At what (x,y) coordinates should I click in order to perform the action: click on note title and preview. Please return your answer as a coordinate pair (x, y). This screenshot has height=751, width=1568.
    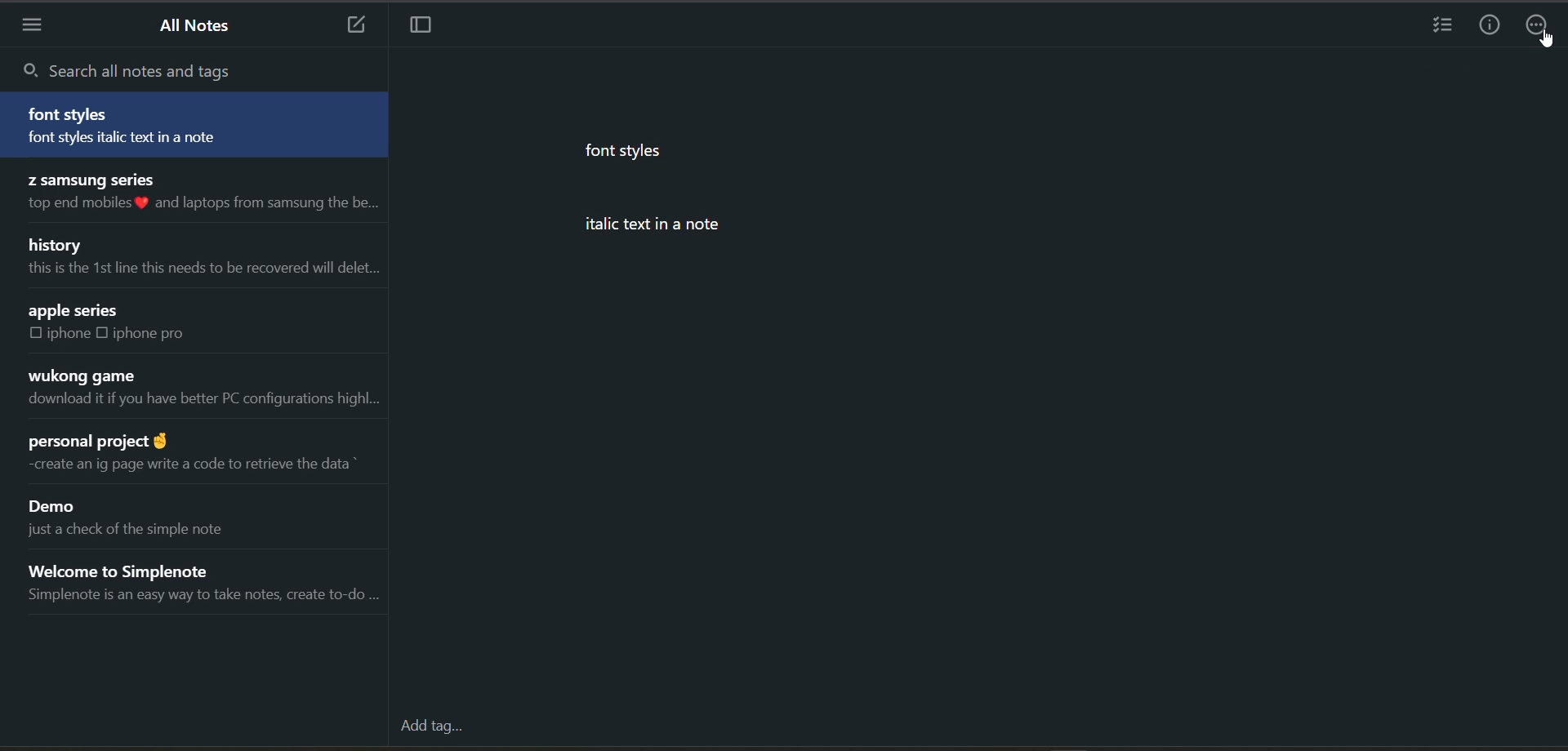
    Looking at the image, I should click on (199, 389).